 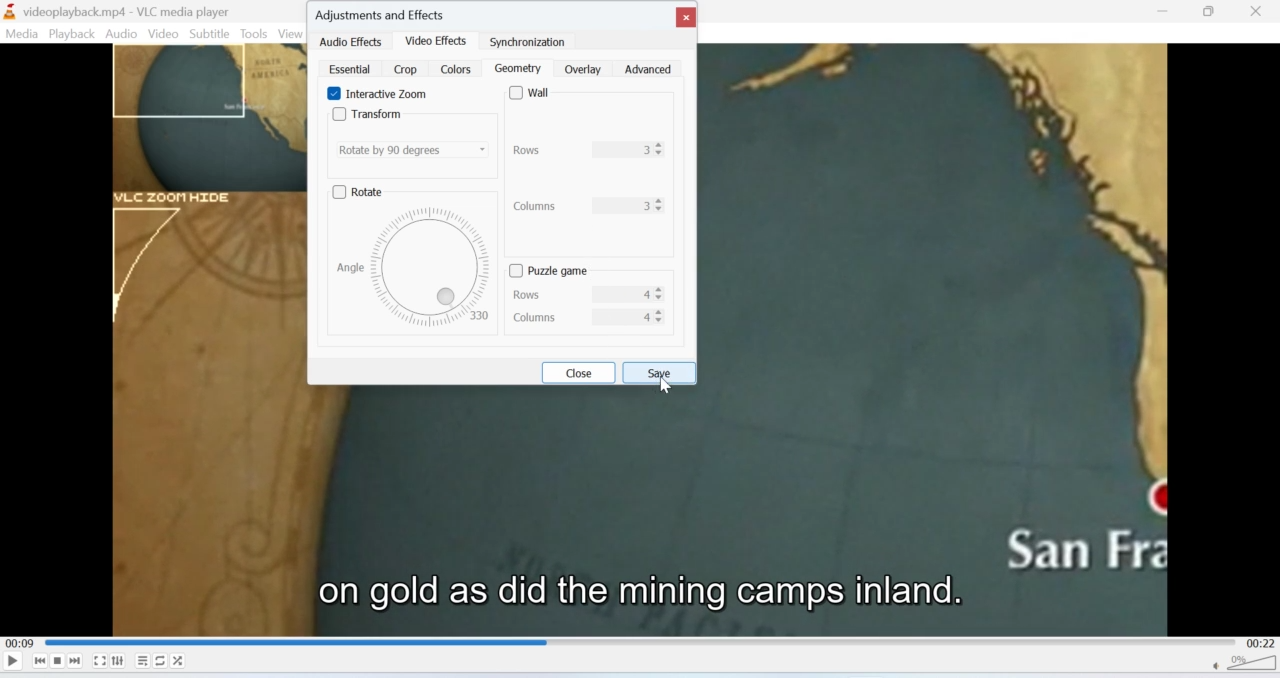 What do you see at coordinates (589, 205) in the screenshot?
I see `columns    3` at bounding box center [589, 205].